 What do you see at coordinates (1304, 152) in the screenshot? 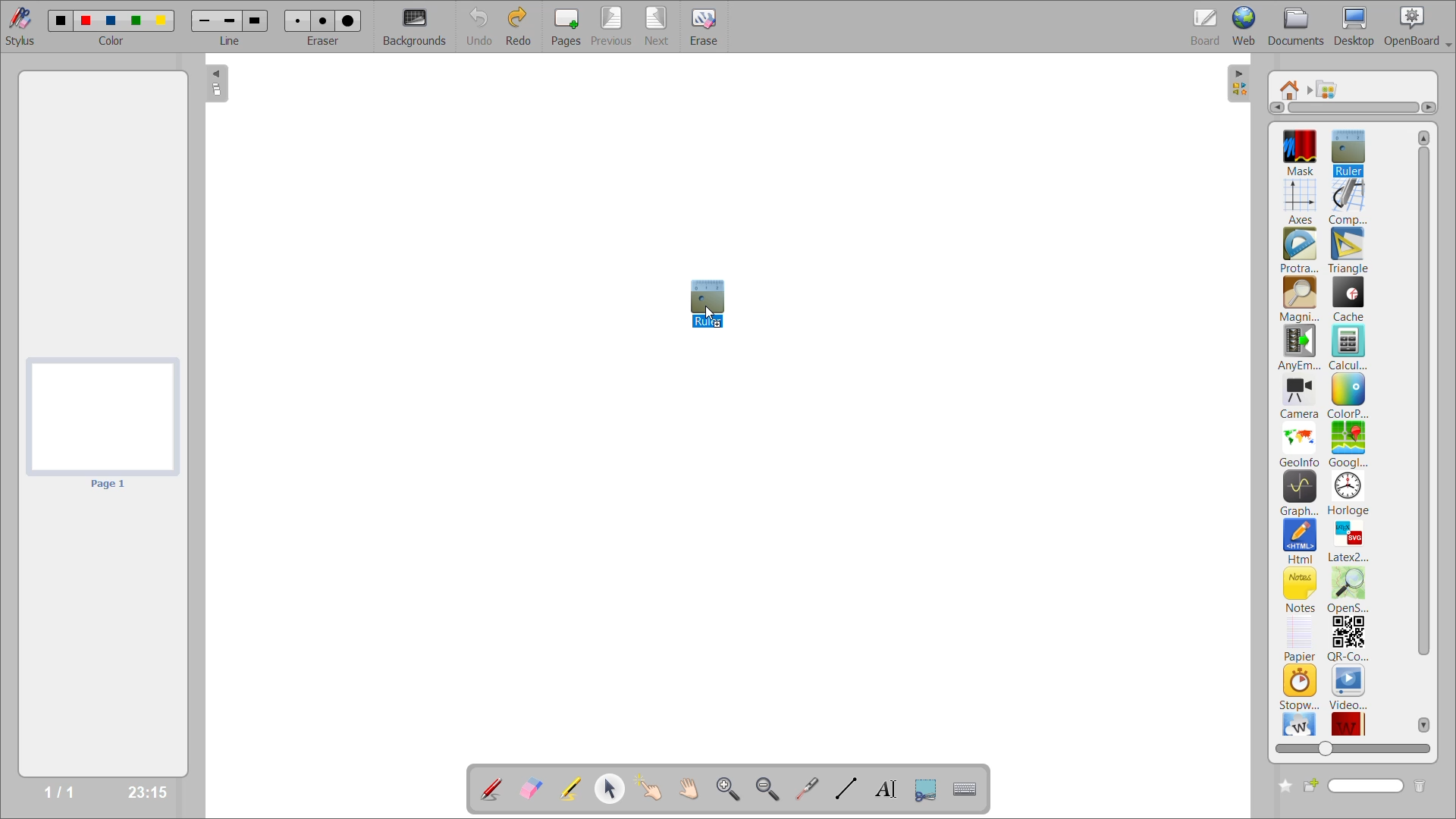
I see `mask` at bounding box center [1304, 152].